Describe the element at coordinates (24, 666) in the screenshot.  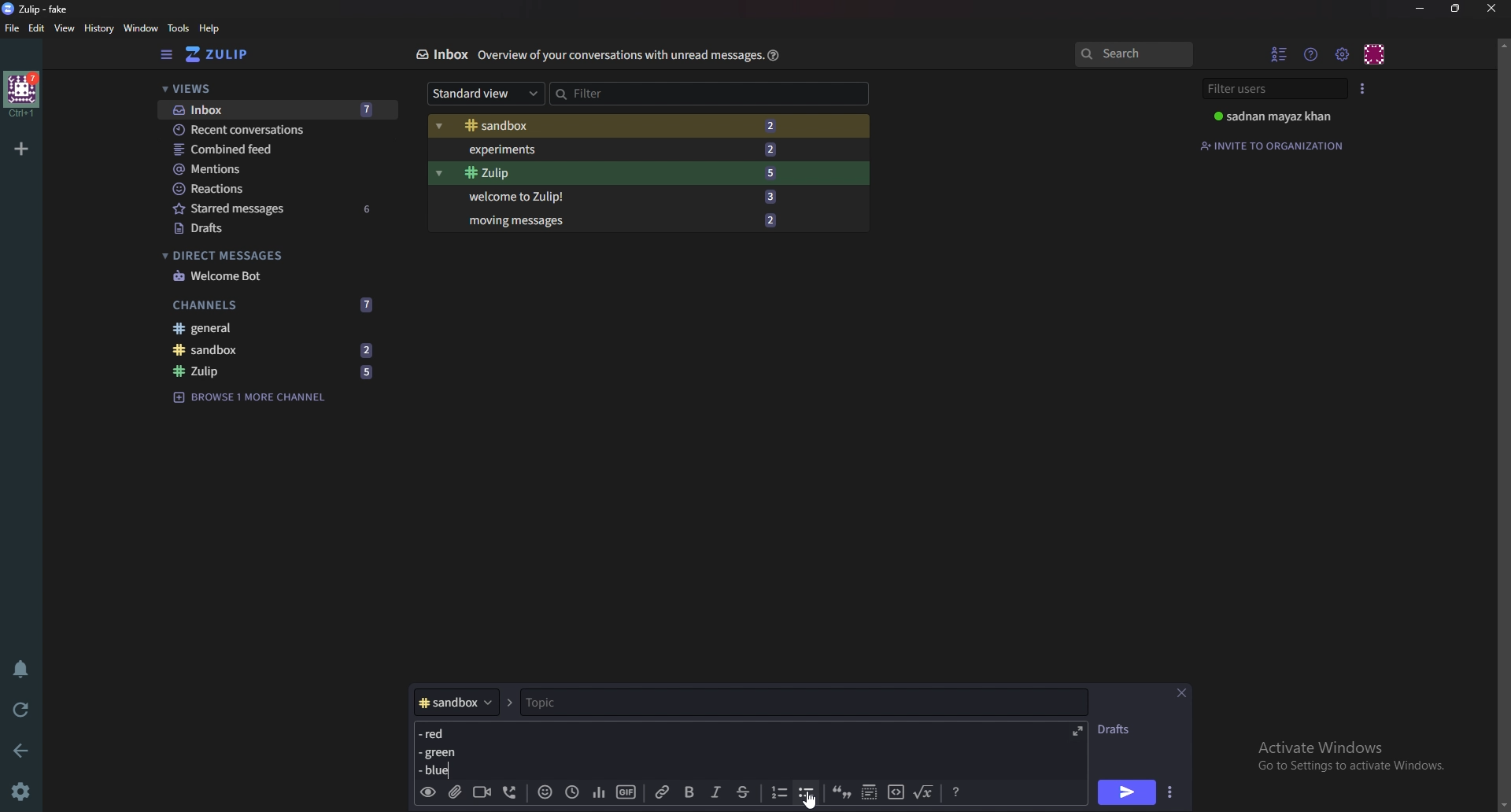
I see `Enable do not disturb` at that location.